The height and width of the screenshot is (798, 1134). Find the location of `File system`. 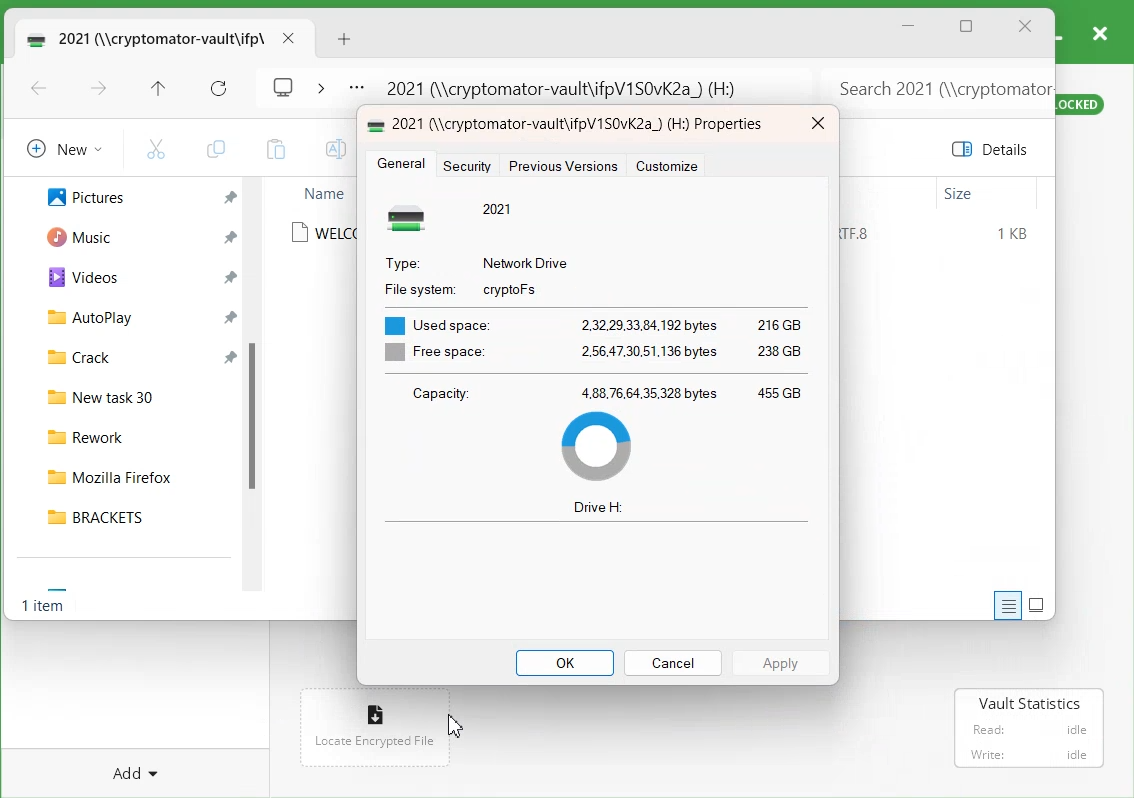

File system is located at coordinates (417, 287).